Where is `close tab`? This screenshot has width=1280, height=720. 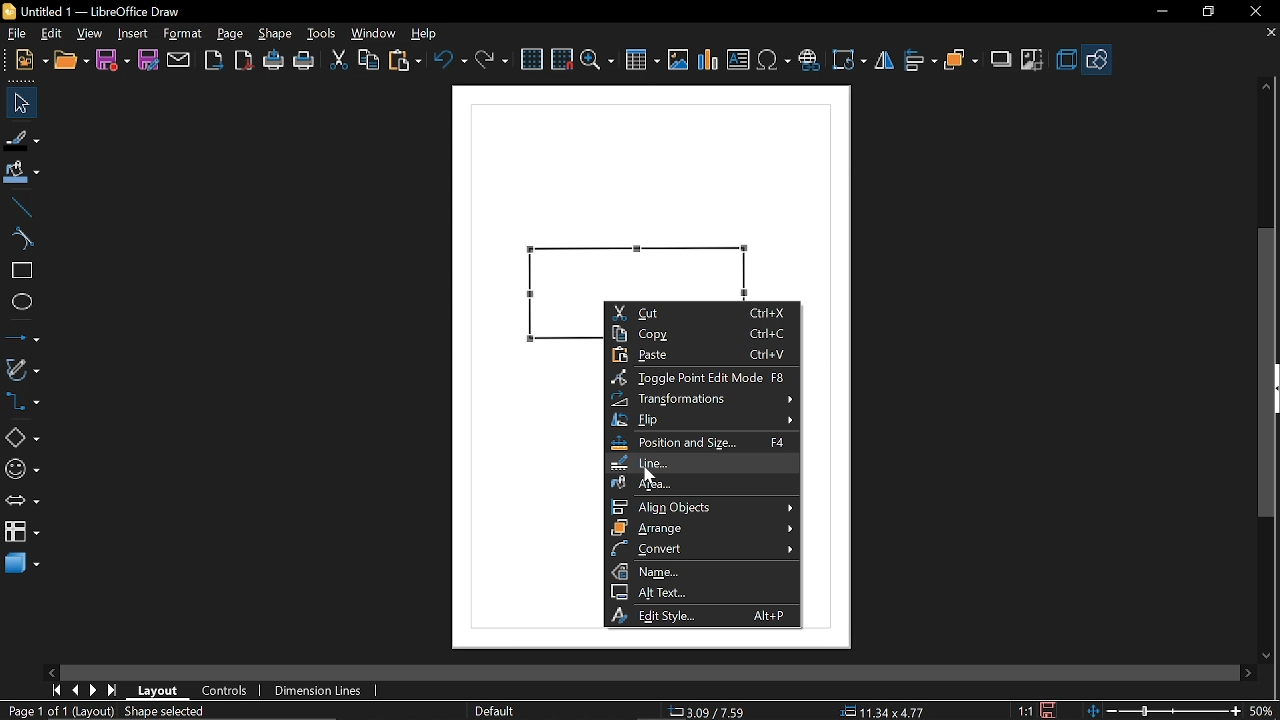
close tab is located at coordinates (1271, 34).